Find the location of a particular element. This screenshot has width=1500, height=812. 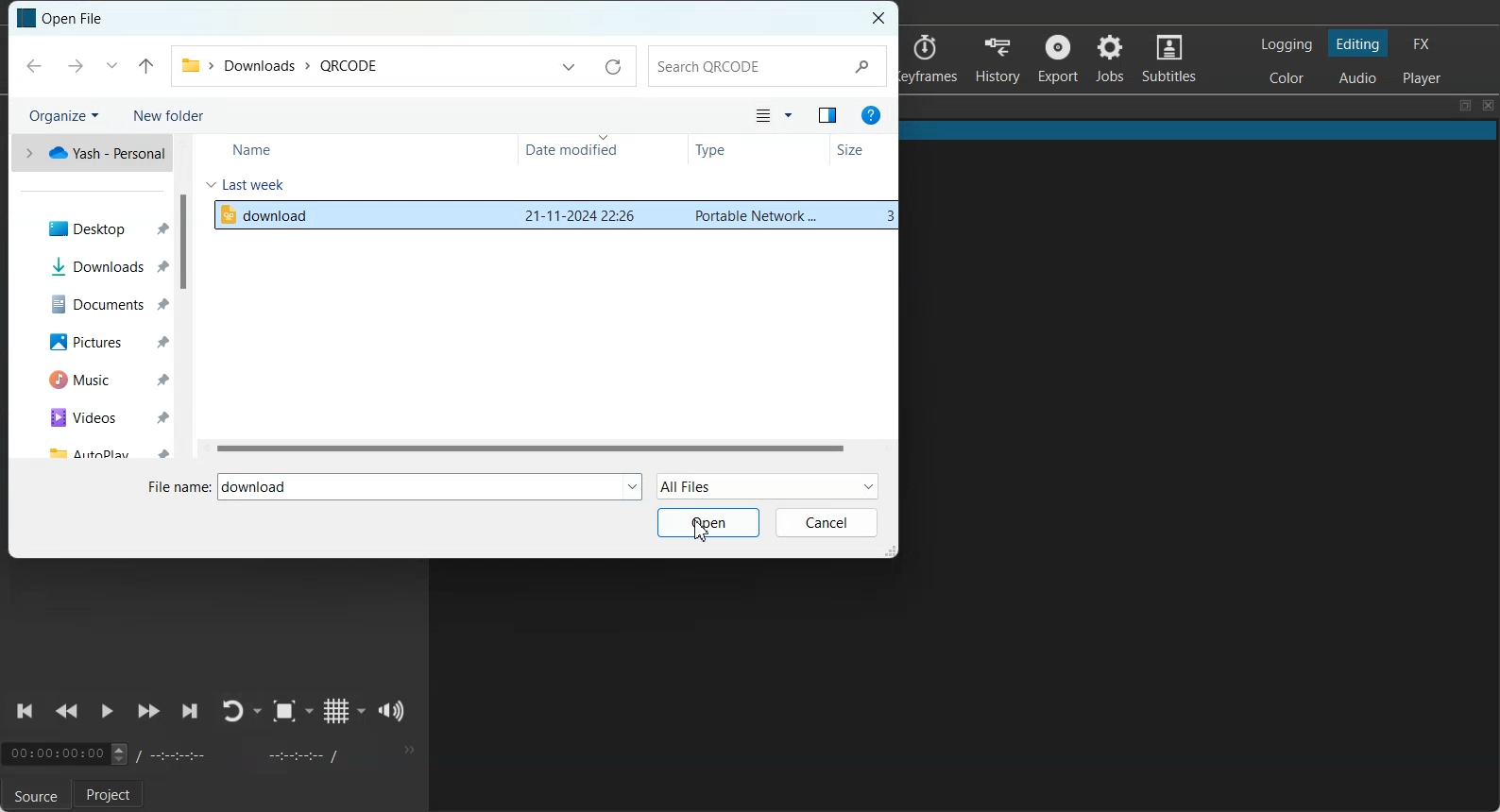

Jobs is located at coordinates (1109, 58).